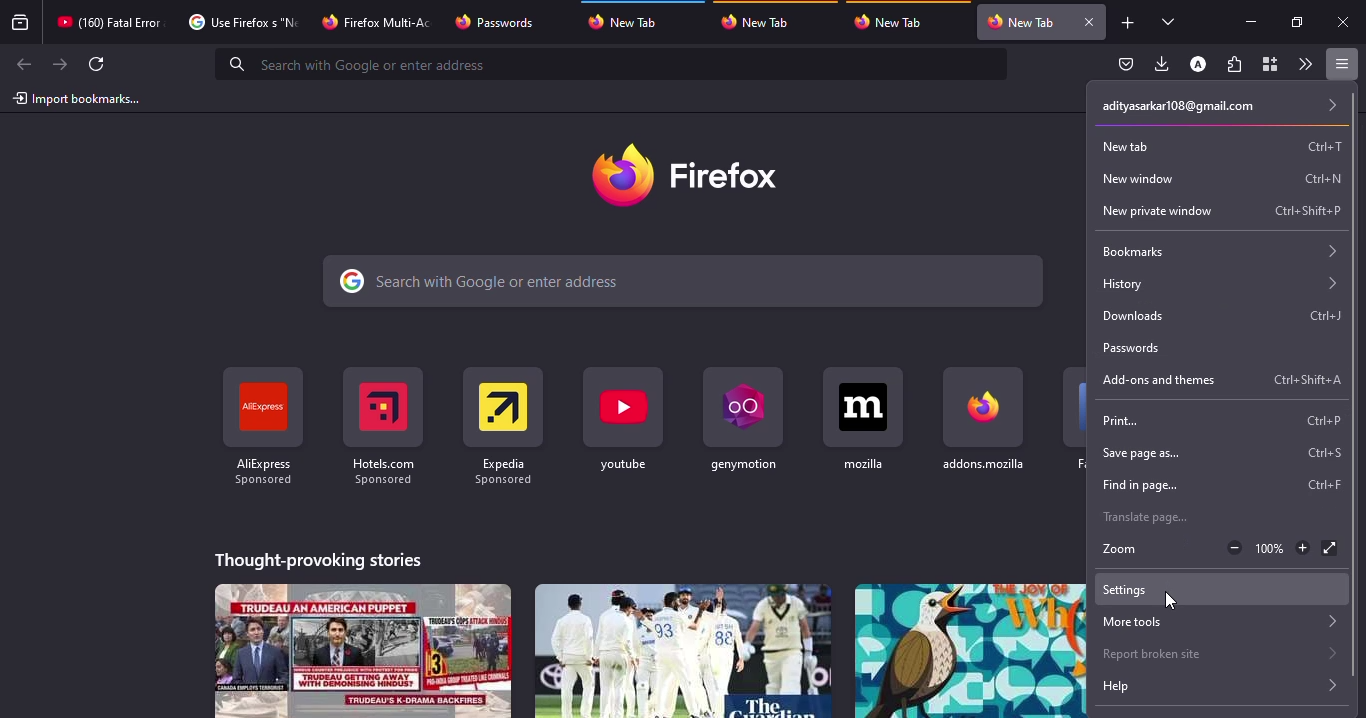 The height and width of the screenshot is (718, 1366). I want to click on tab, so click(379, 20).